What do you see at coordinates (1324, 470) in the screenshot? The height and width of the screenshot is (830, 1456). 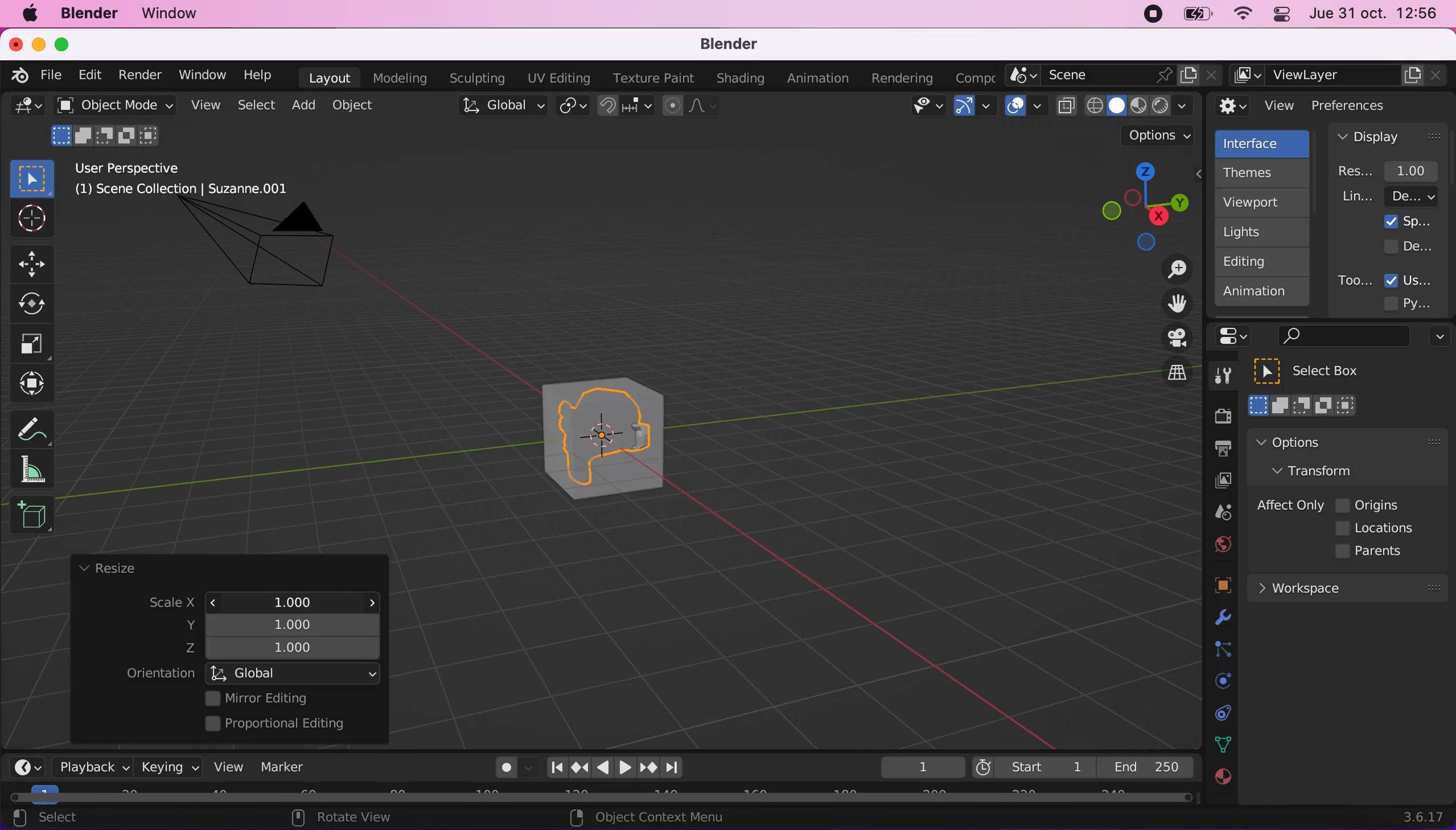 I see `transform` at bounding box center [1324, 470].